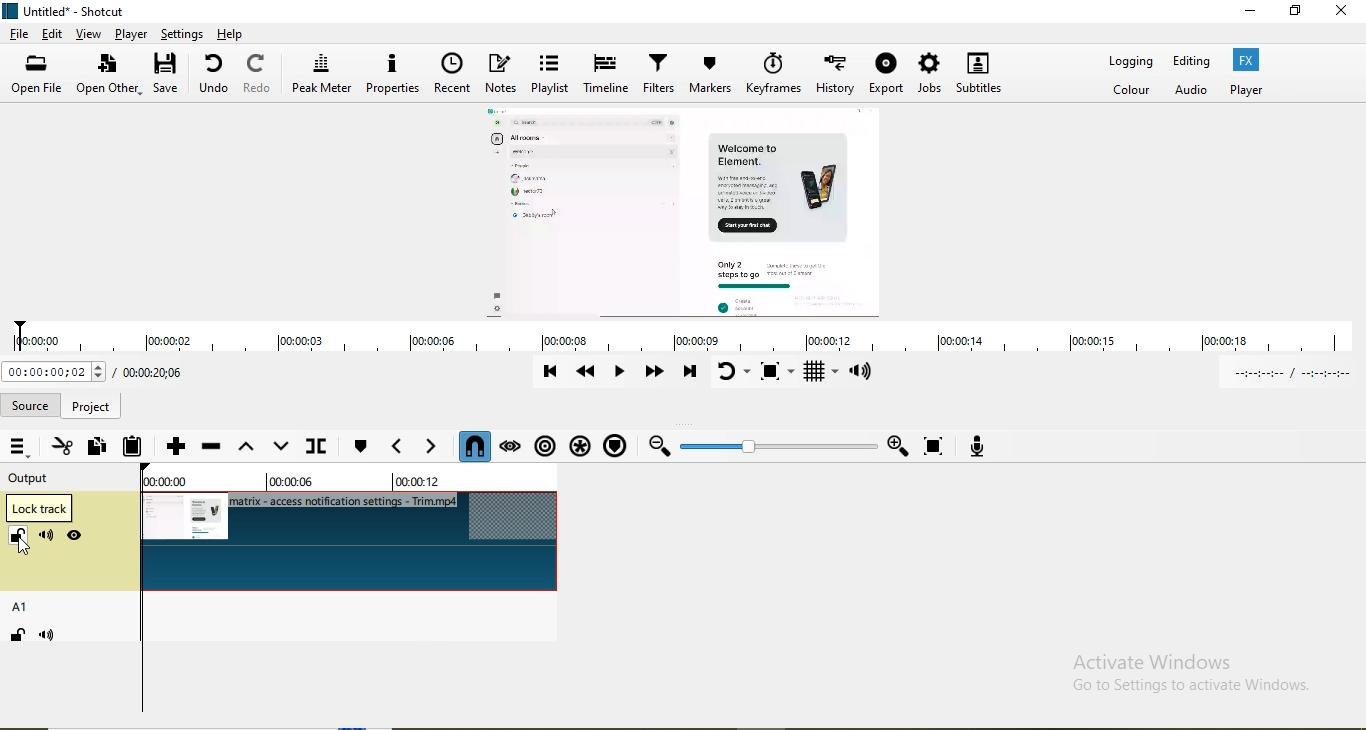 This screenshot has width=1366, height=730. I want to click on Source , so click(32, 403).